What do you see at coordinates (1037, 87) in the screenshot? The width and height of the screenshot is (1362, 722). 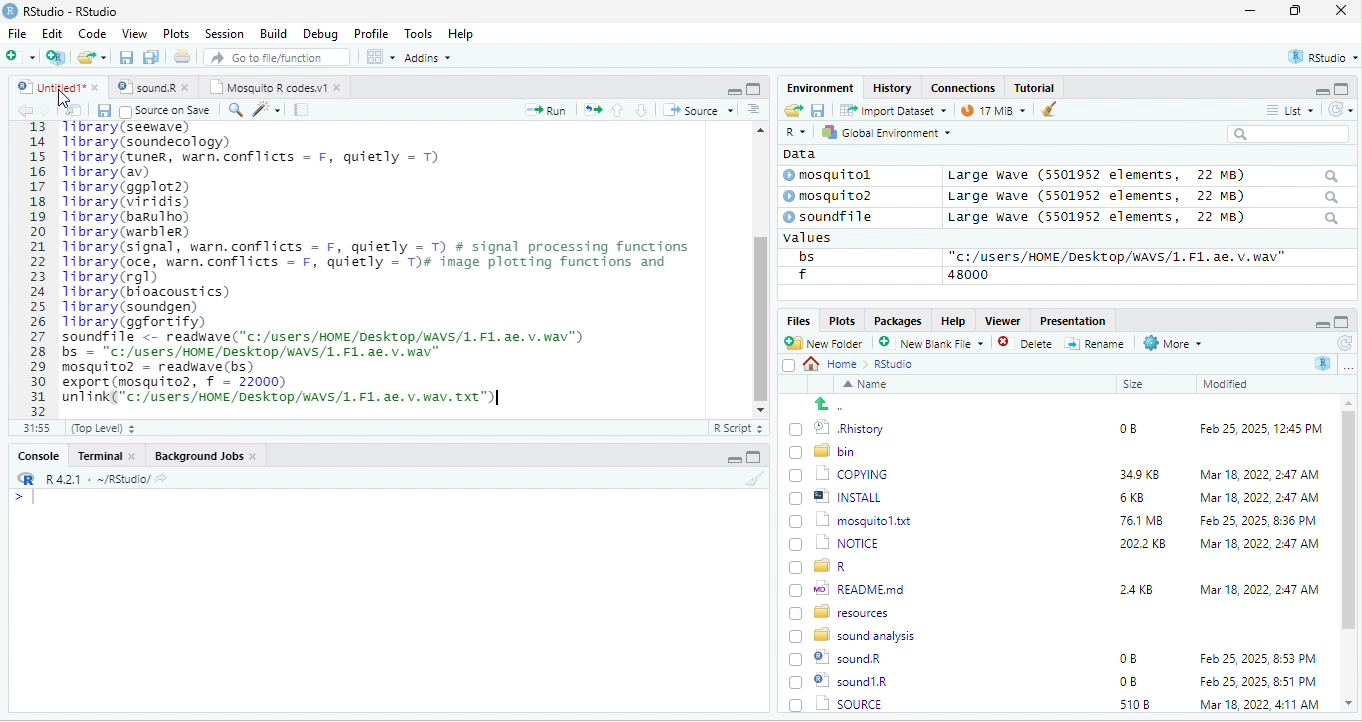 I see `Tutorial` at bounding box center [1037, 87].